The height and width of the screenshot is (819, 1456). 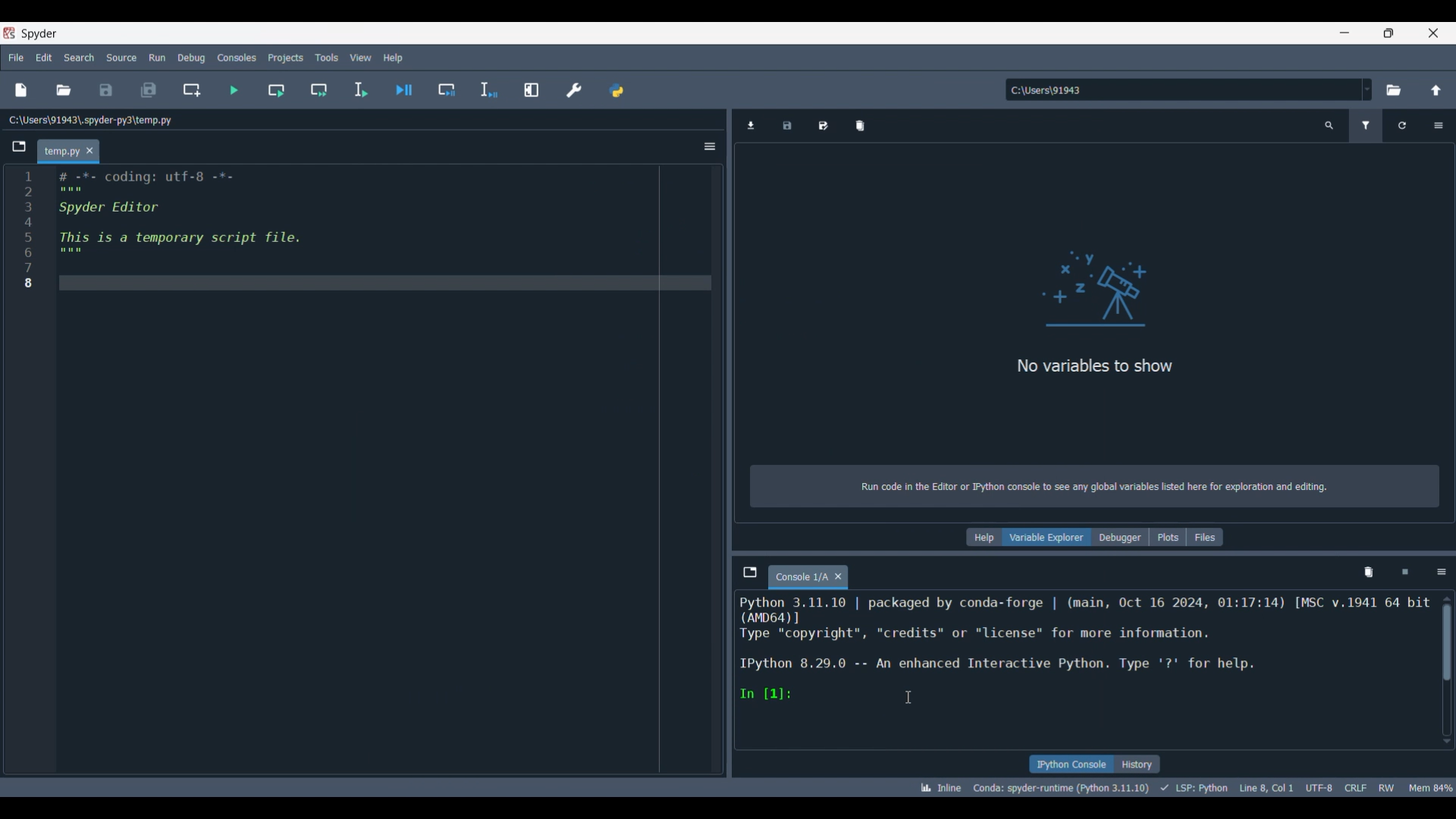 I want to click on Debug menu, so click(x=192, y=58).